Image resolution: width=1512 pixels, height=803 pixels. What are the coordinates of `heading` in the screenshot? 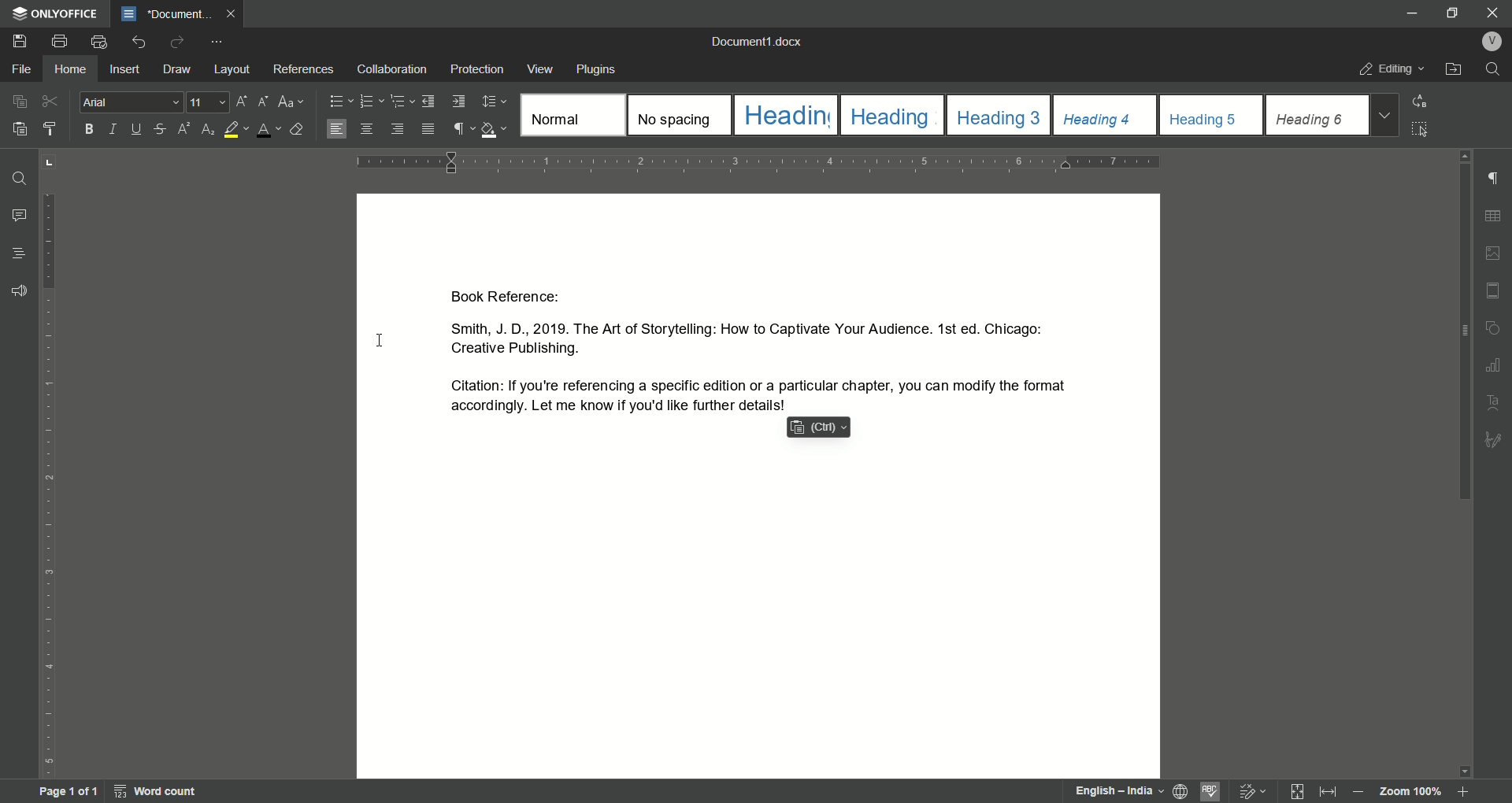 It's located at (17, 253).